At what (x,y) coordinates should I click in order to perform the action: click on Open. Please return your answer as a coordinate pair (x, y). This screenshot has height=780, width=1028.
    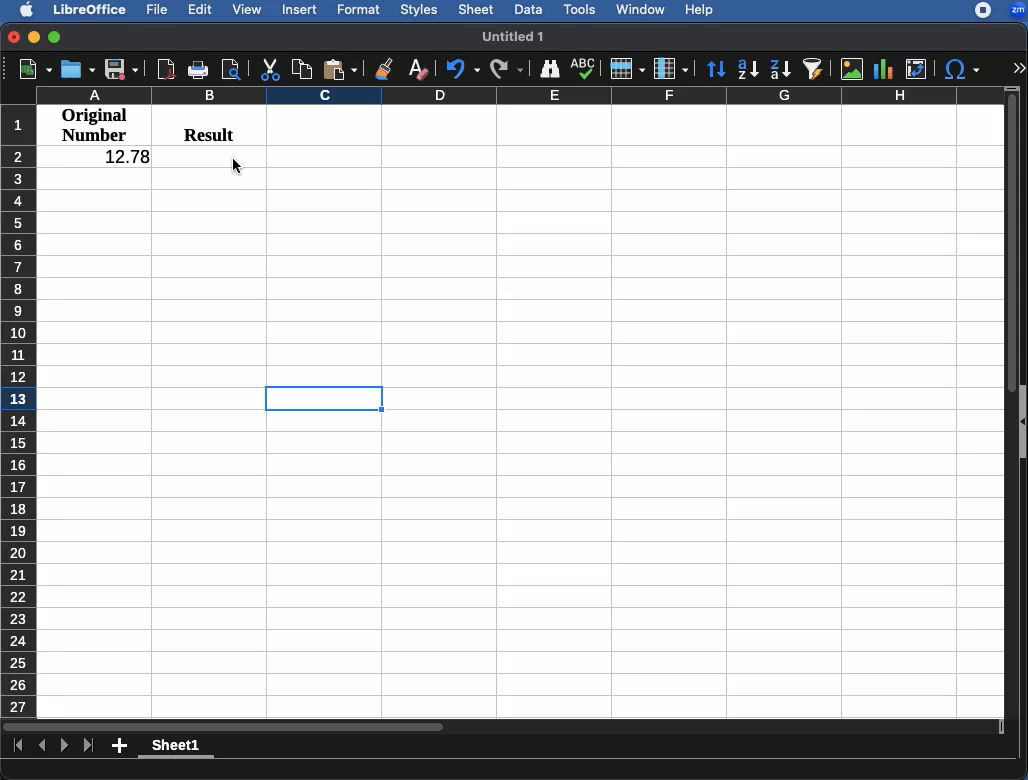
    Looking at the image, I should click on (78, 69).